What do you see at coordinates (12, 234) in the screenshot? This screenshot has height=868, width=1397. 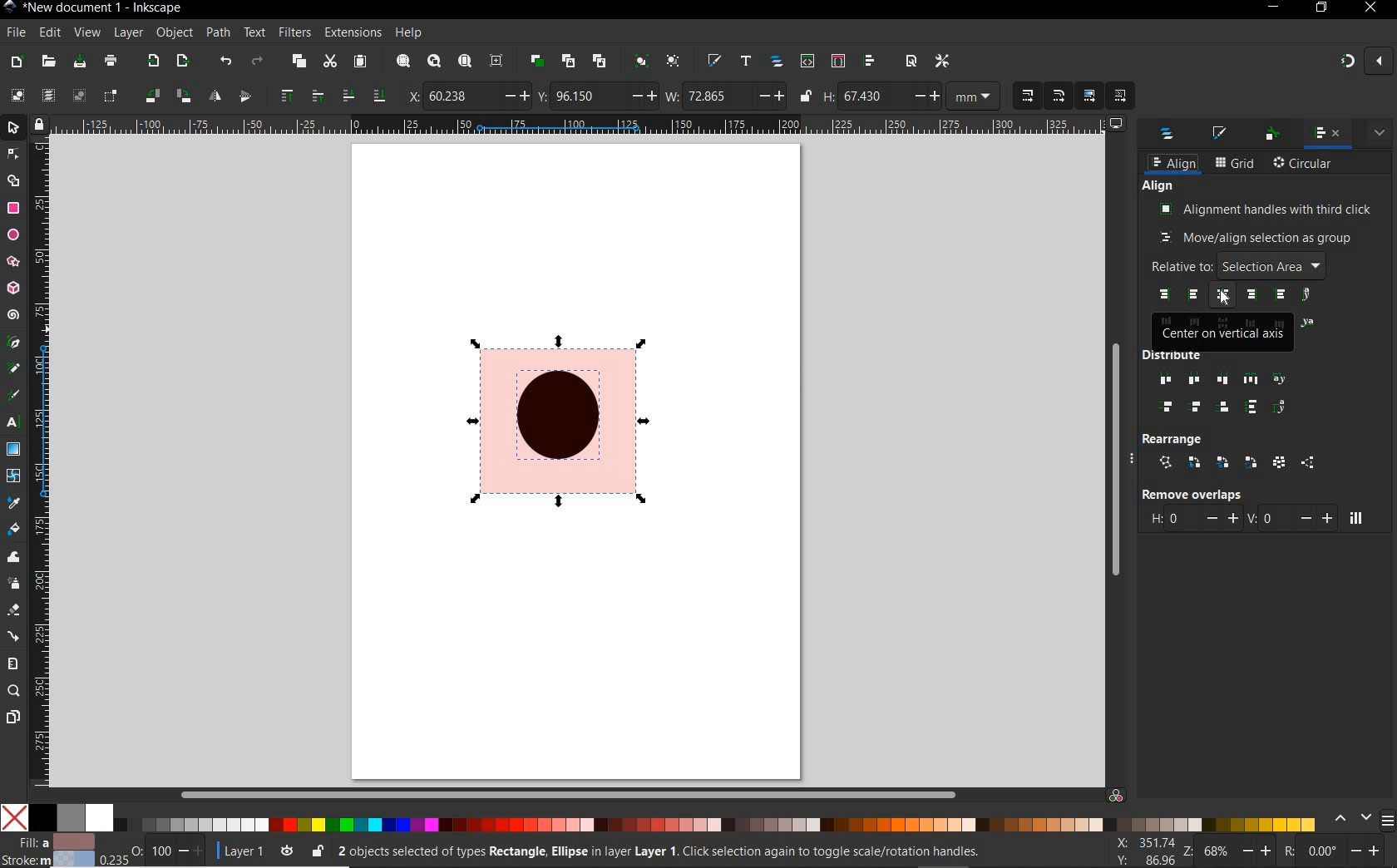 I see `ellipse ,arc tool` at bounding box center [12, 234].